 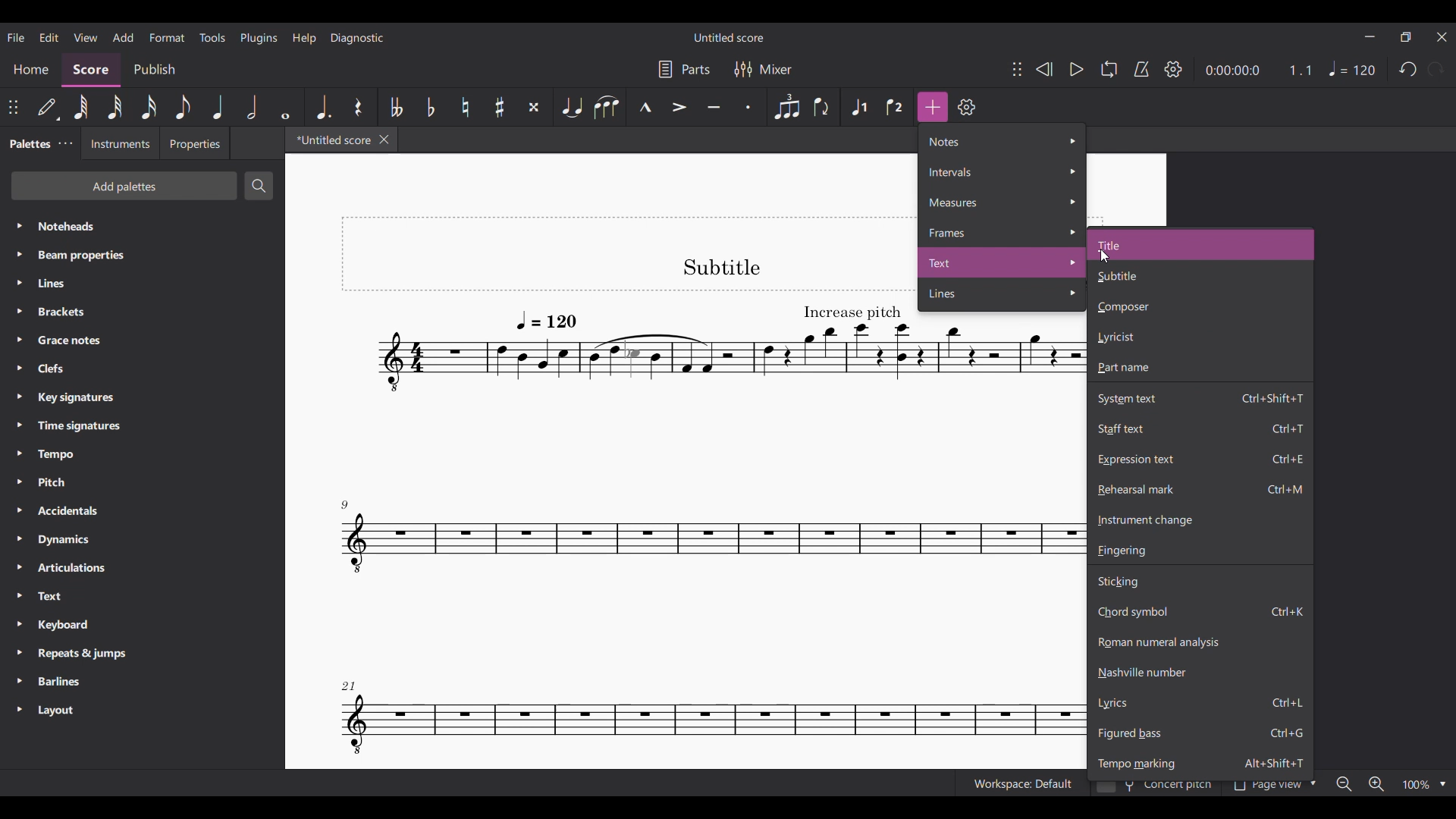 What do you see at coordinates (17, 38) in the screenshot?
I see `File menu` at bounding box center [17, 38].